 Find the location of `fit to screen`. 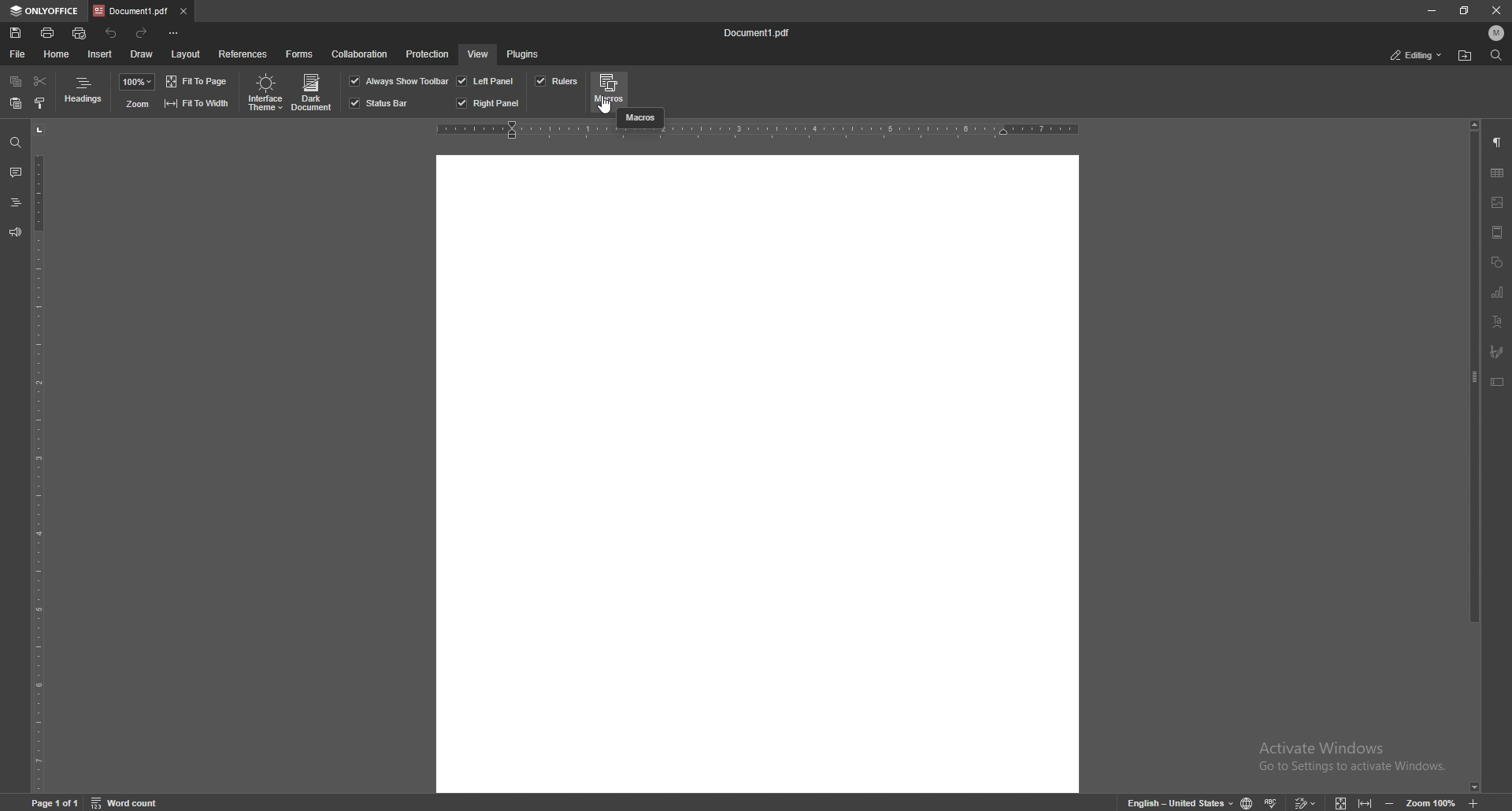

fit to screen is located at coordinates (1342, 802).